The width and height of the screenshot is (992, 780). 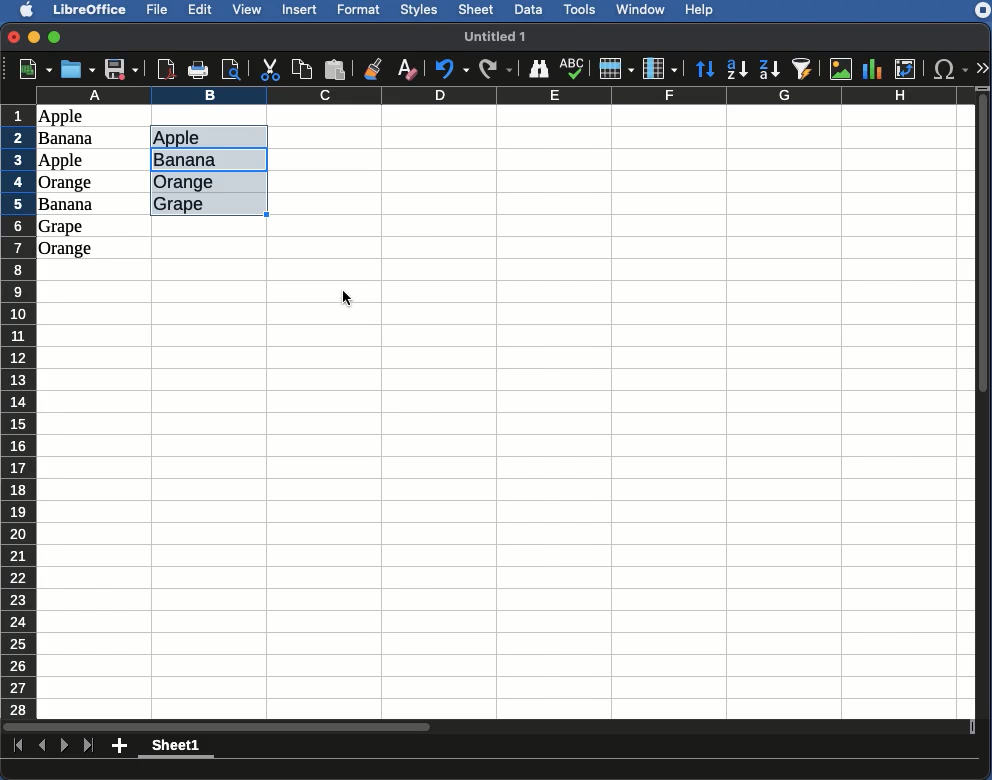 I want to click on Print preview, so click(x=232, y=69).